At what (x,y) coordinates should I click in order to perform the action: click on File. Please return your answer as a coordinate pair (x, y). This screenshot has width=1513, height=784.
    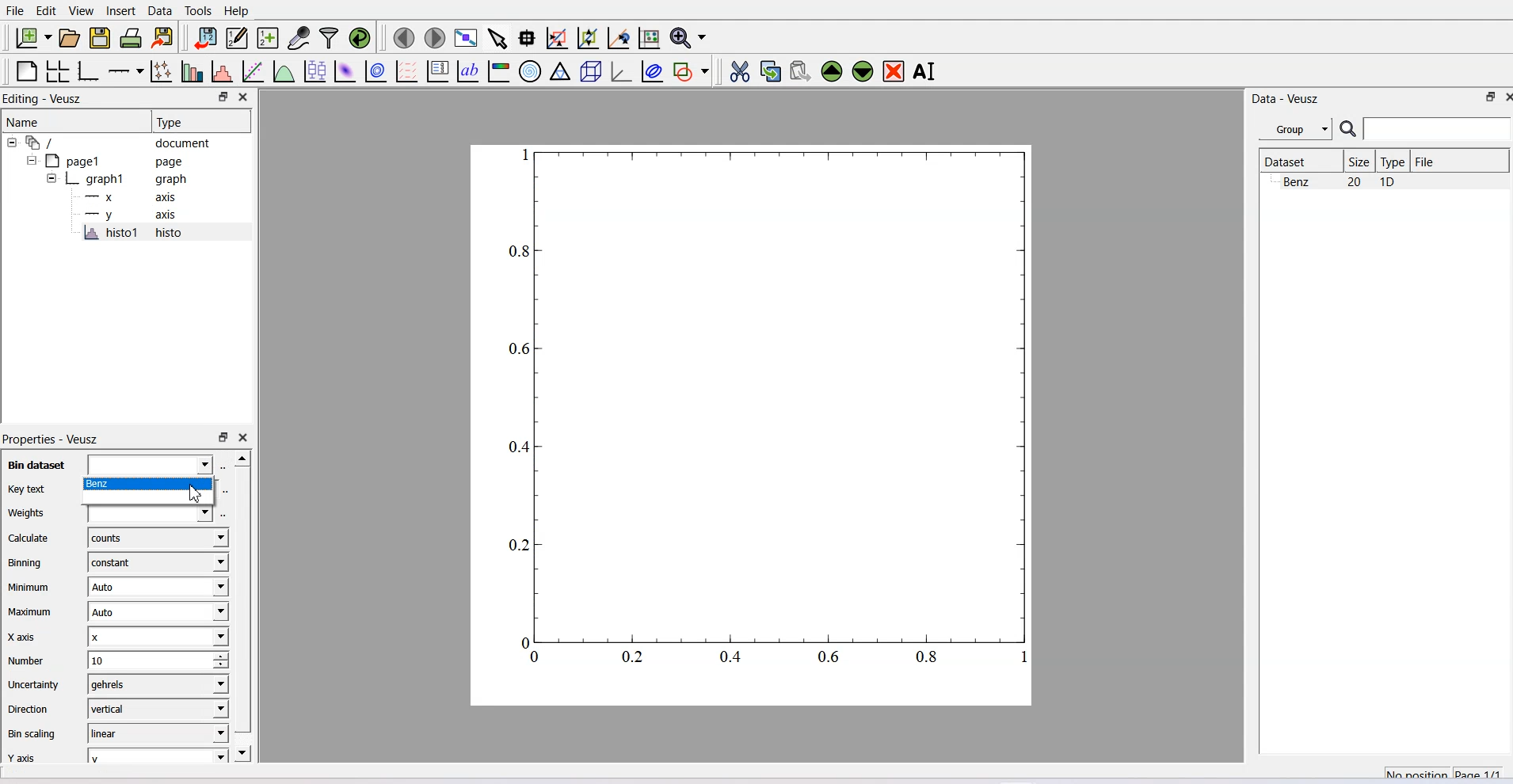
    Looking at the image, I should click on (1427, 161).